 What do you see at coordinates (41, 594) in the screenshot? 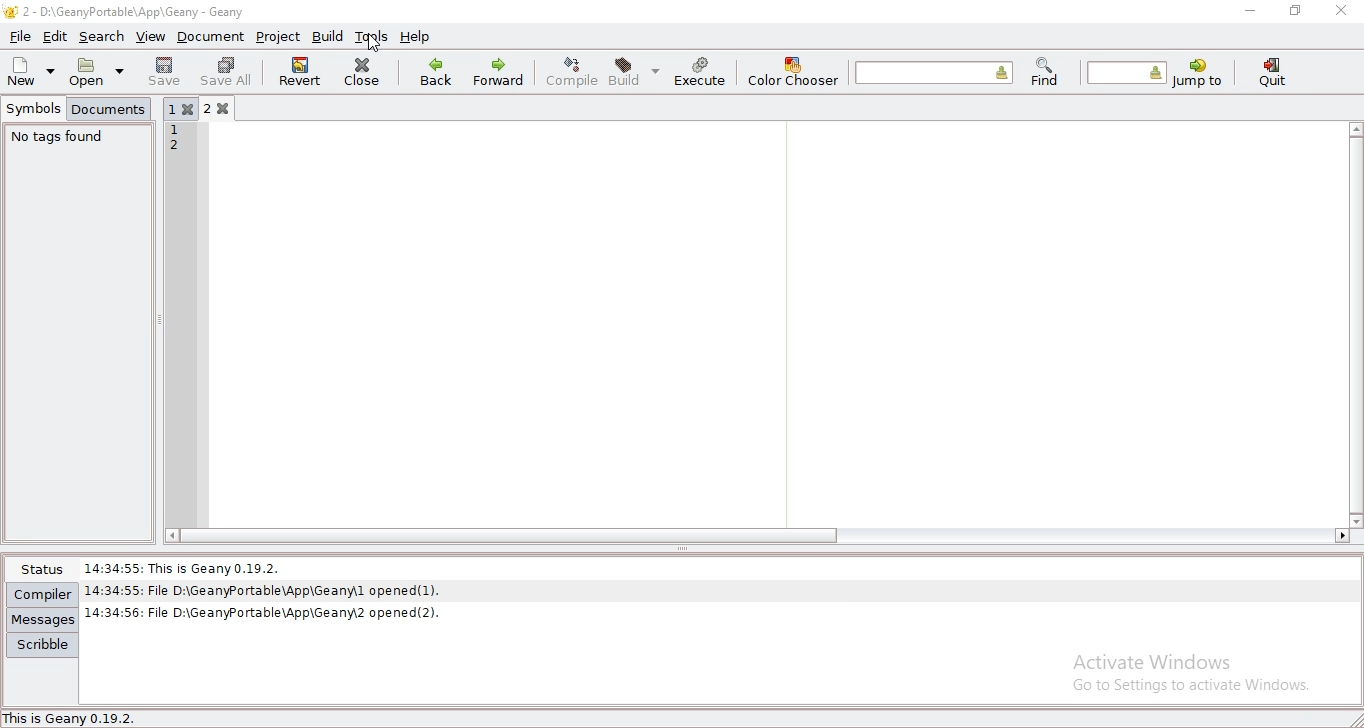
I see `compiler` at bounding box center [41, 594].